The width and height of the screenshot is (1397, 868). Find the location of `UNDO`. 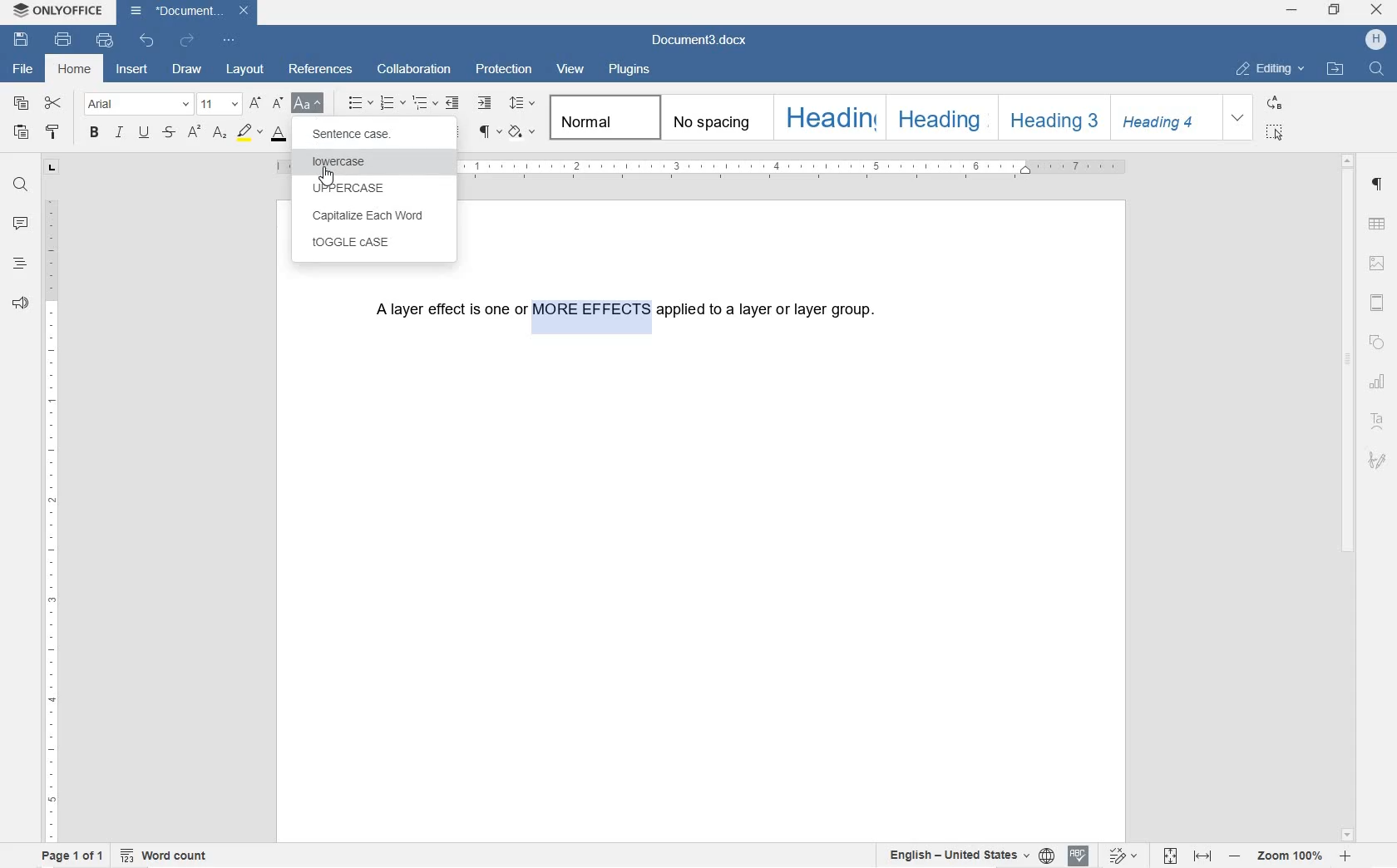

UNDO is located at coordinates (147, 42).